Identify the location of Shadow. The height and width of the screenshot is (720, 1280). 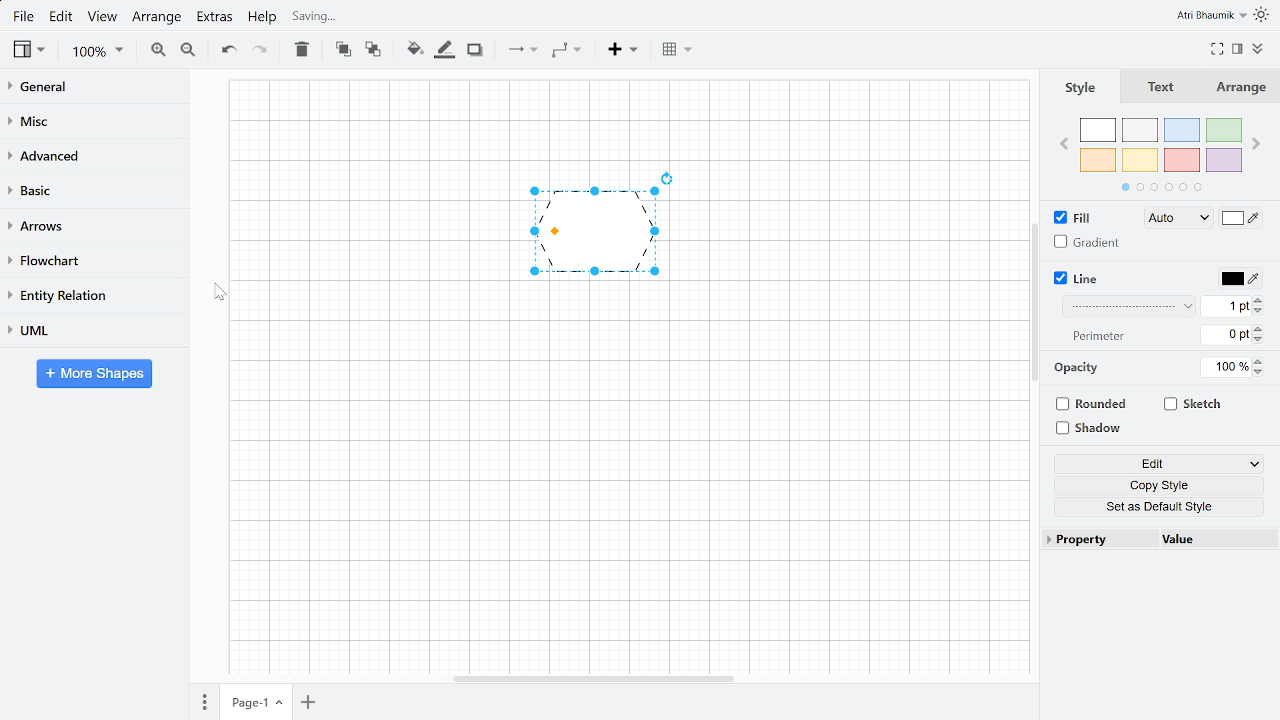
(1087, 430).